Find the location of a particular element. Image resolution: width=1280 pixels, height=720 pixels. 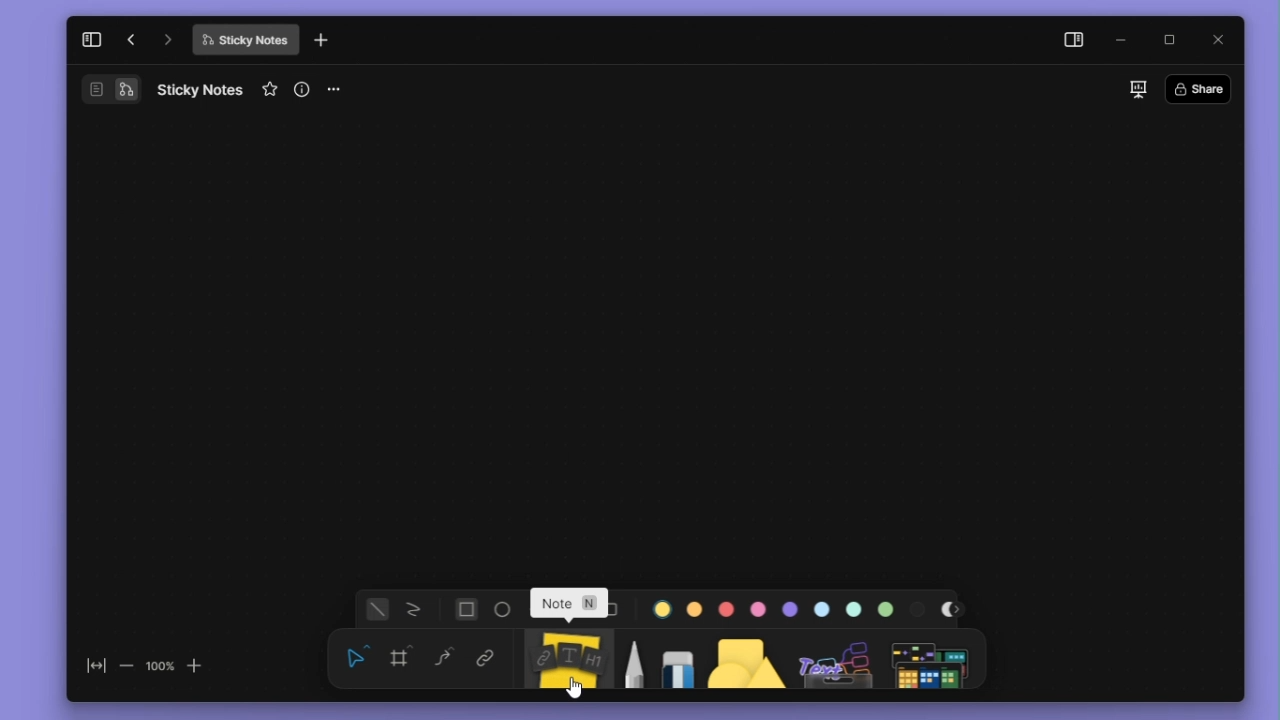

cursor is located at coordinates (579, 687).